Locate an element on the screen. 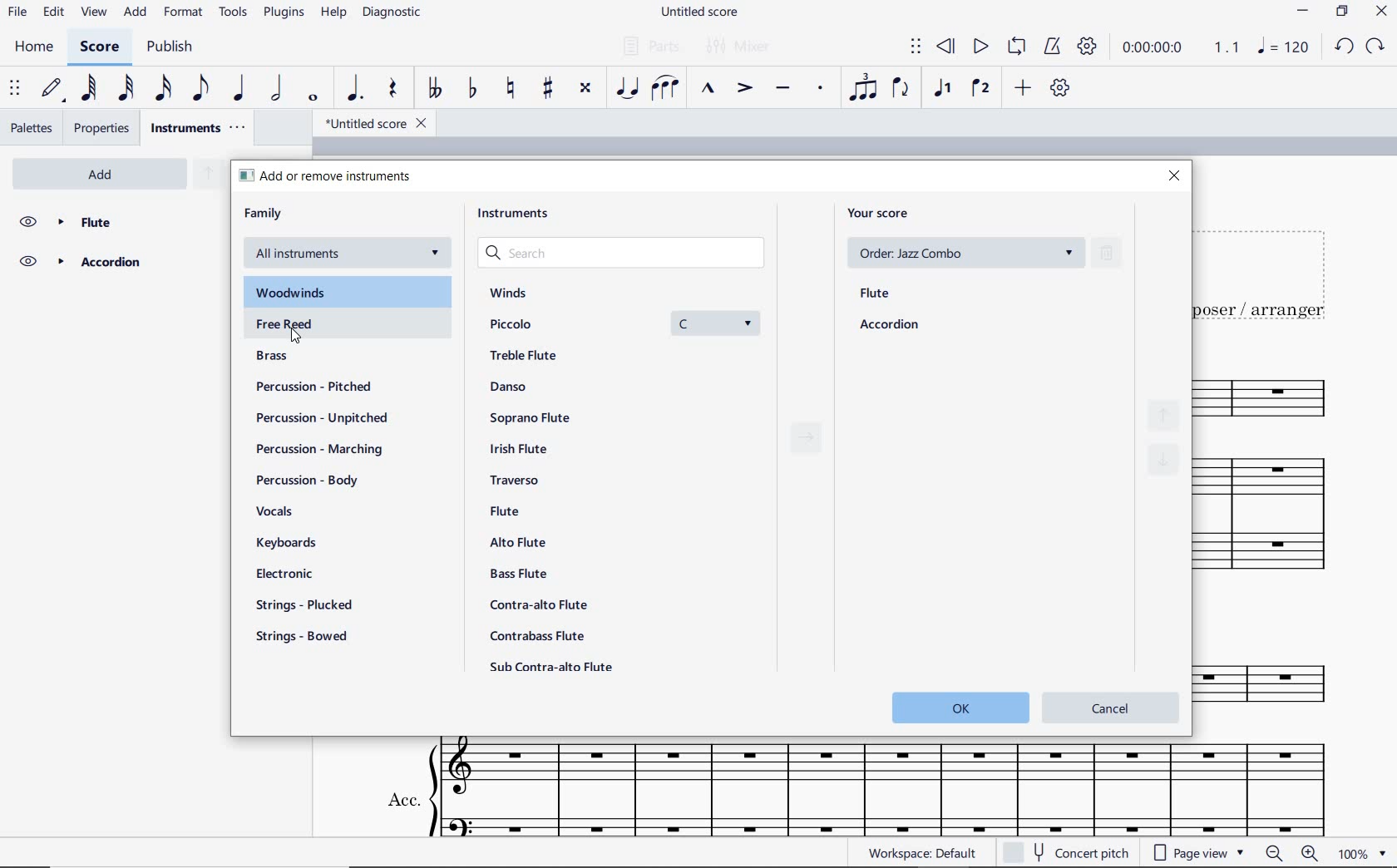 The image size is (1397, 868). family is located at coordinates (264, 213).